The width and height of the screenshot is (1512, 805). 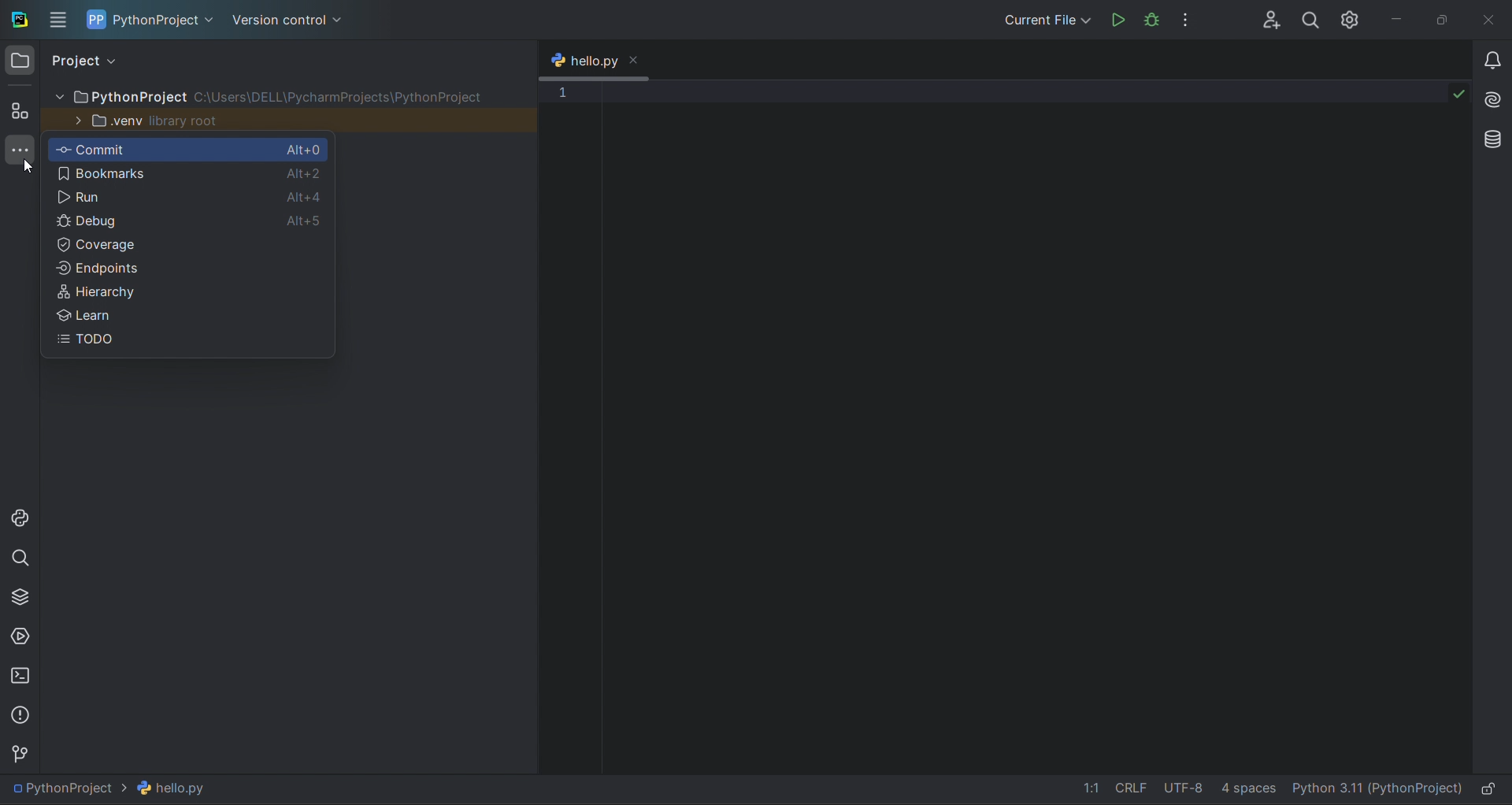 What do you see at coordinates (58, 20) in the screenshot?
I see `menu` at bounding box center [58, 20].